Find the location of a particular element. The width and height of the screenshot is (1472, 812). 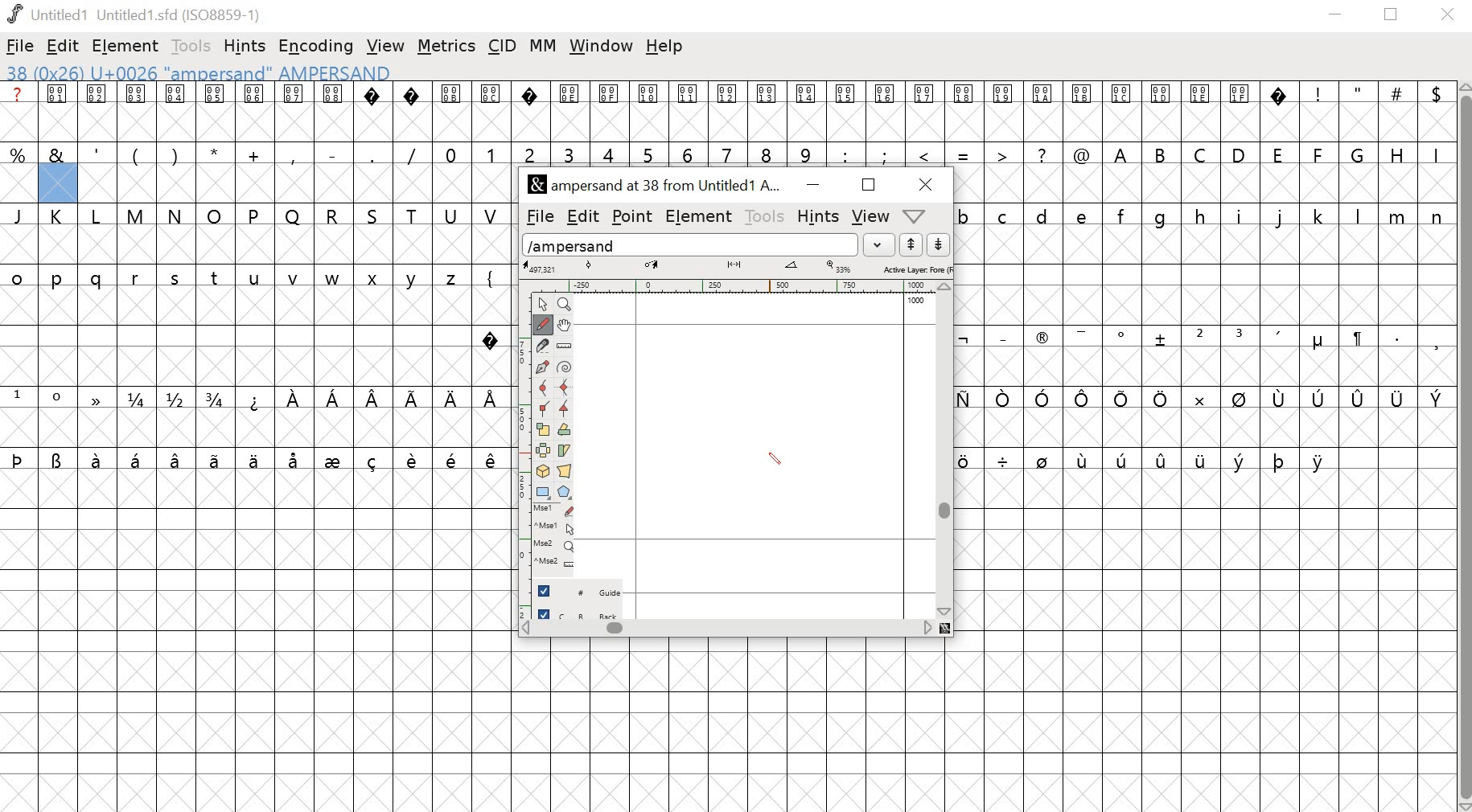

drag out its control points  is located at coordinates (542, 368).